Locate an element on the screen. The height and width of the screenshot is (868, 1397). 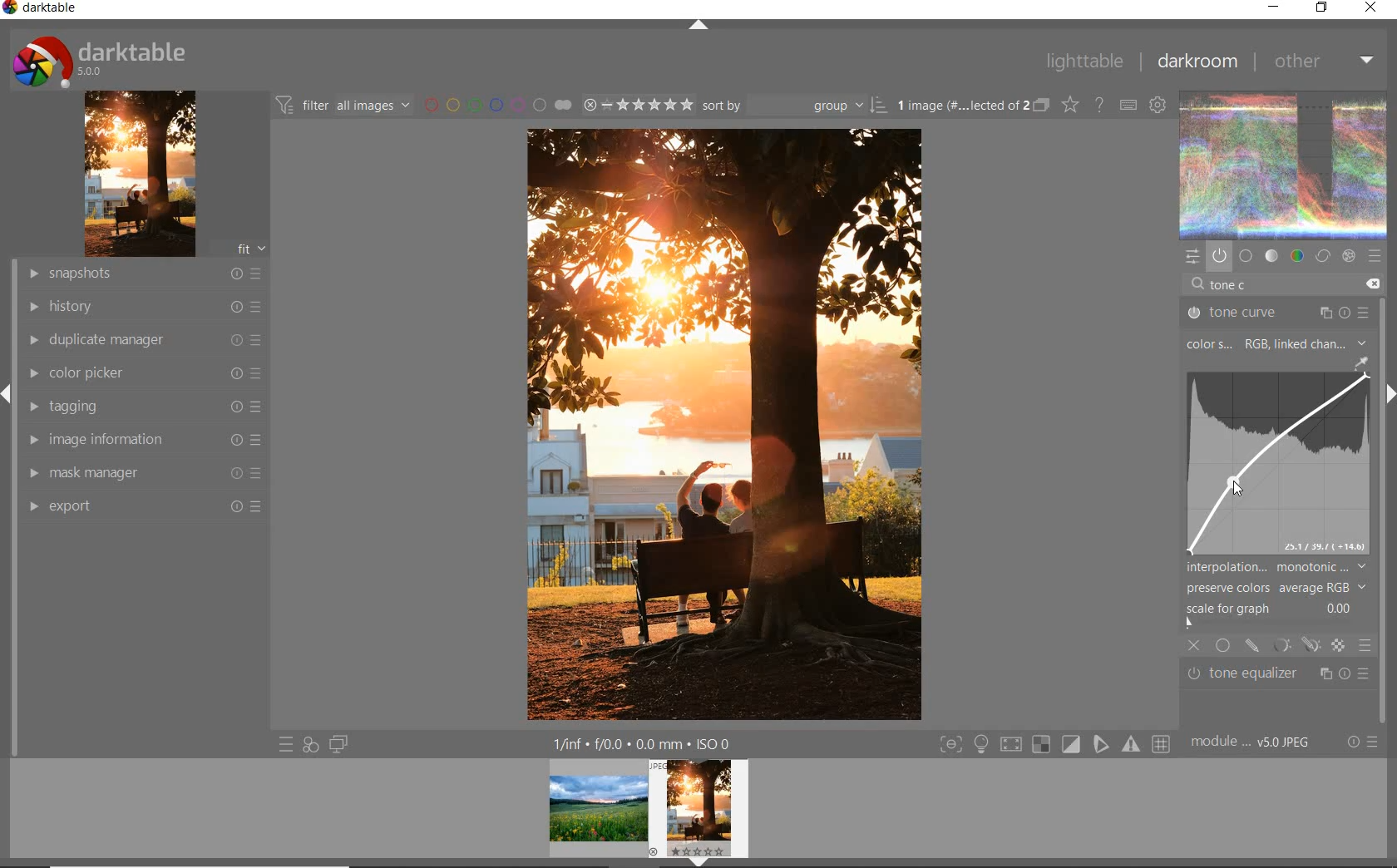
define keyboard shortcuts is located at coordinates (1159, 104).